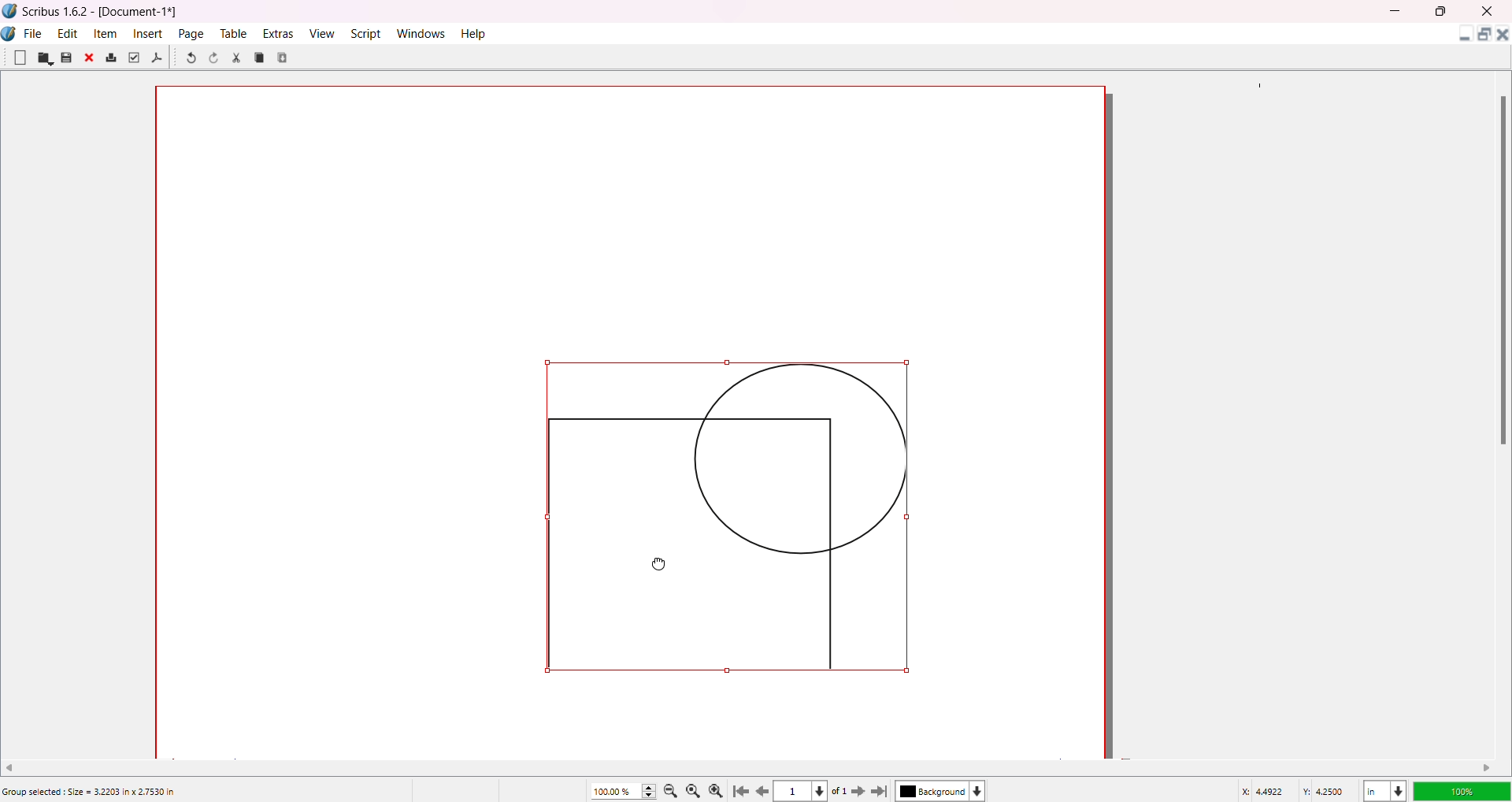  What do you see at coordinates (673, 790) in the screenshot?
I see `Zoom out` at bounding box center [673, 790].